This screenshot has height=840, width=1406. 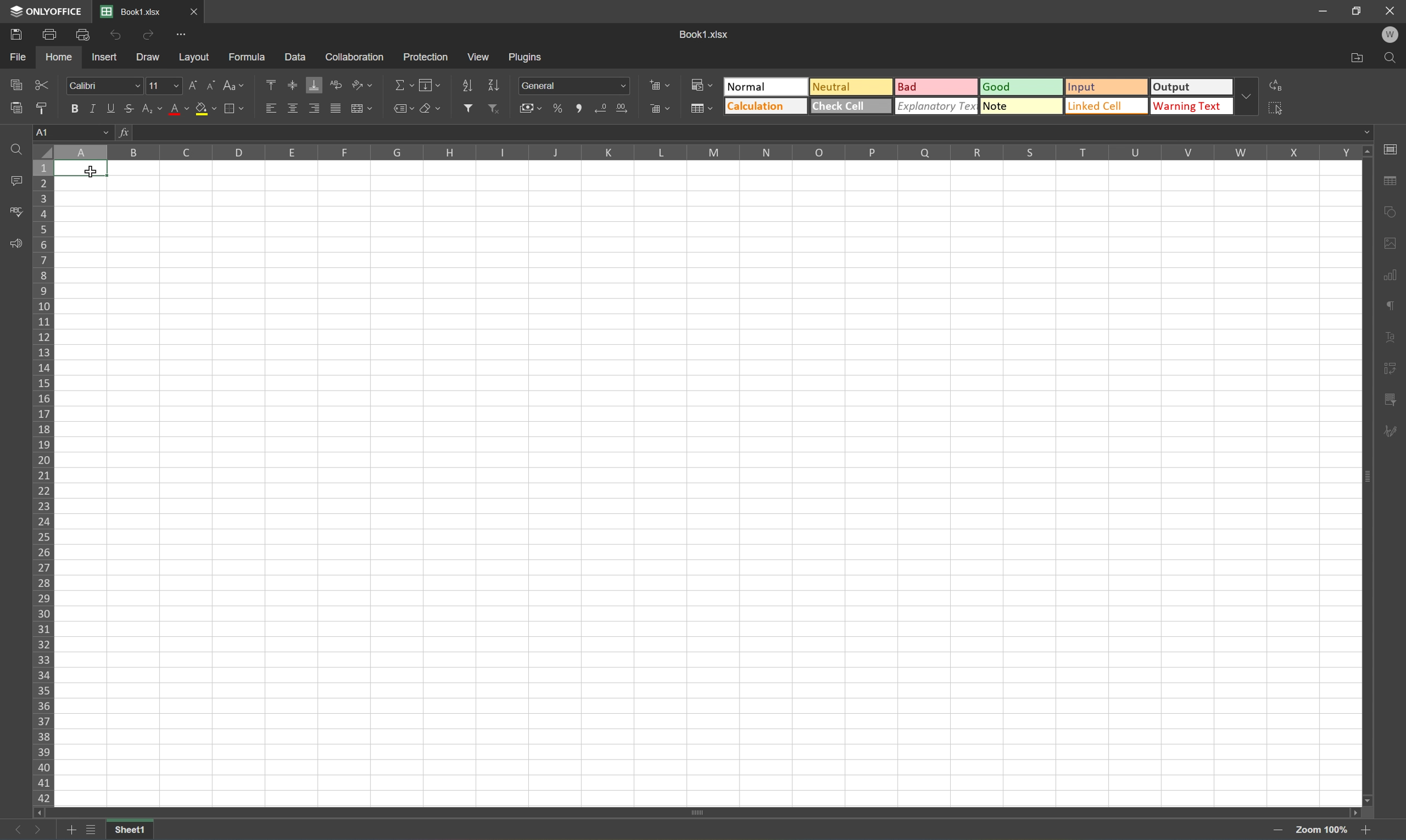 What do you see at coordinates (39, 813) in the screenshot?
I see `Scroll left` at bounding box center [39, 813].